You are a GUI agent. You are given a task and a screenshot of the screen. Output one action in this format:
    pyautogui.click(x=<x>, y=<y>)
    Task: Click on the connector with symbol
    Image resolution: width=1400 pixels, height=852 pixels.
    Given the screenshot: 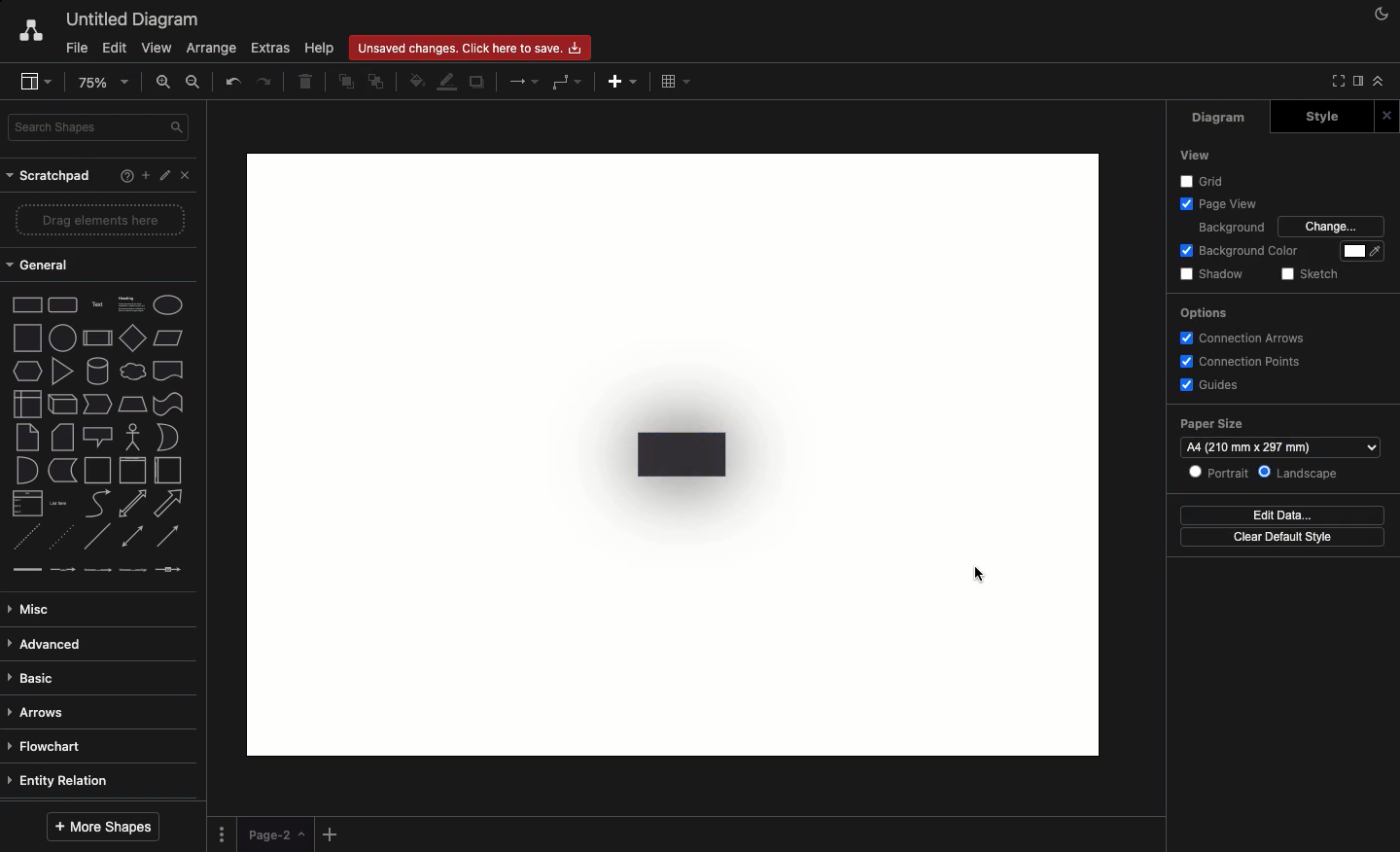 What is the action you would take?
    pyautogui.click(x=171, y=572)
    